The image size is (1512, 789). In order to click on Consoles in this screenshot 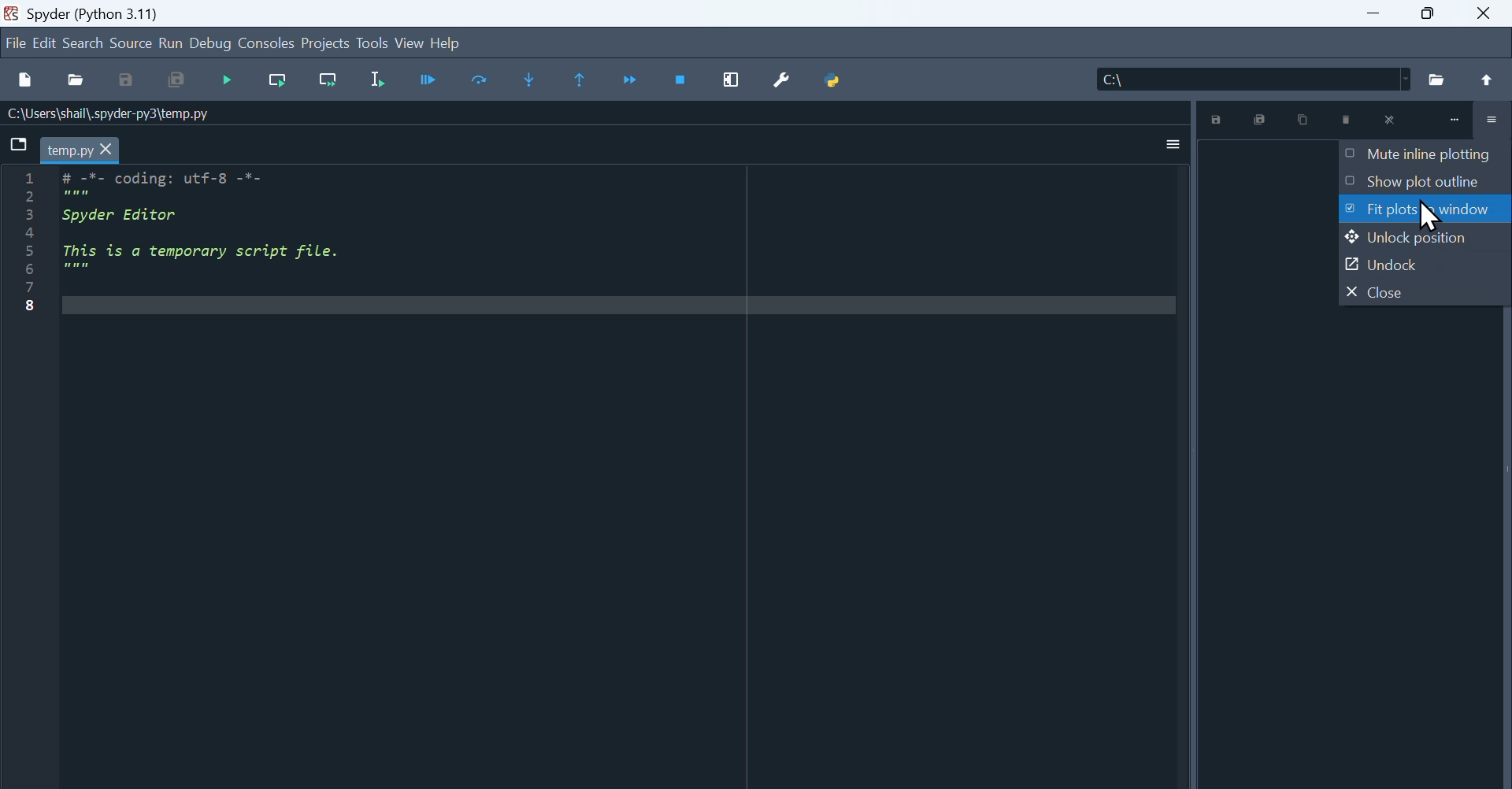, I will do `click(268, 43)`.